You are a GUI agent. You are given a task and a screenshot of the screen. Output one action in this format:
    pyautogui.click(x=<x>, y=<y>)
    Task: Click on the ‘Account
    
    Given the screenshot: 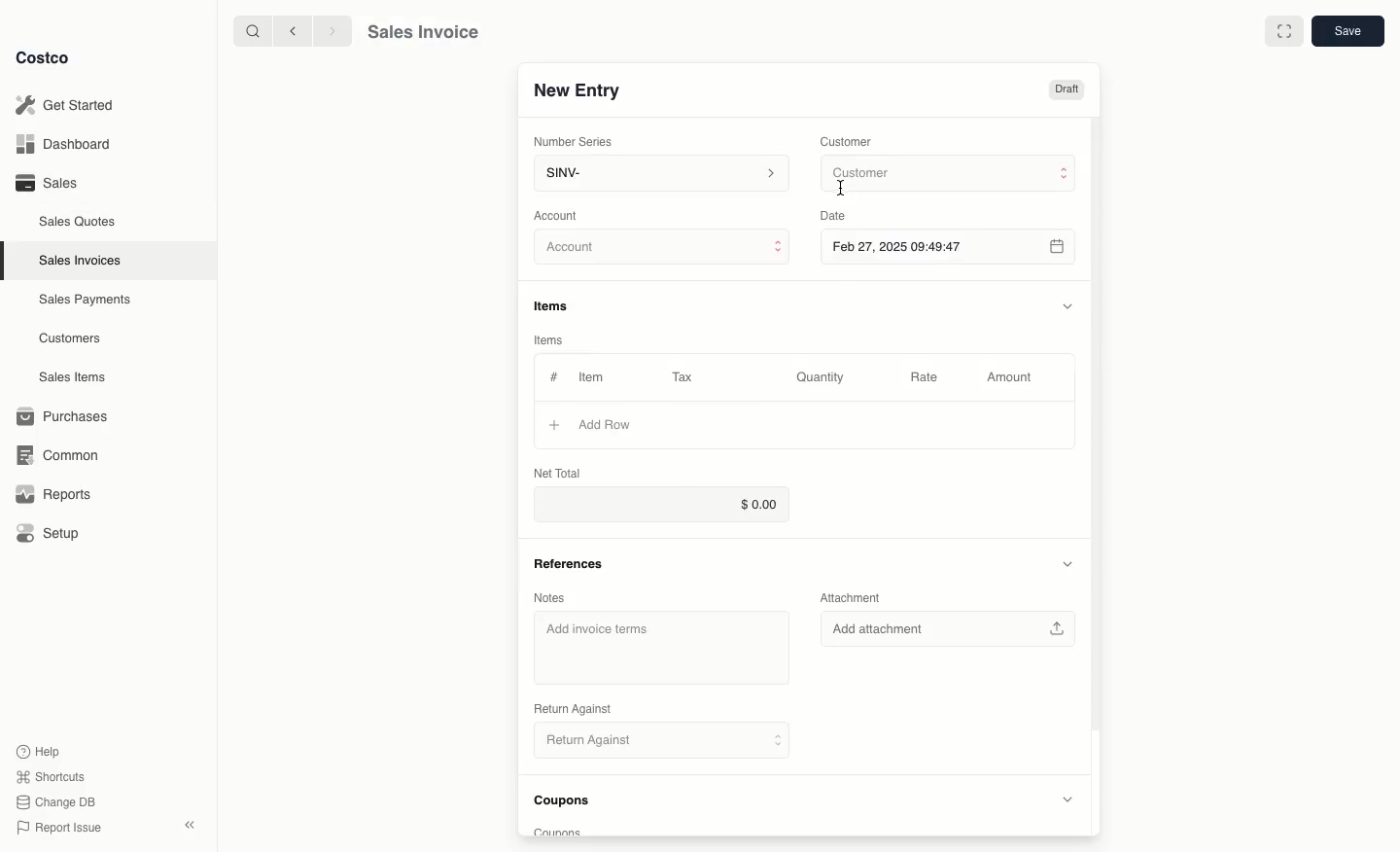 What is the action you would take?
    pyautogui.click(x=559, y=214)
    